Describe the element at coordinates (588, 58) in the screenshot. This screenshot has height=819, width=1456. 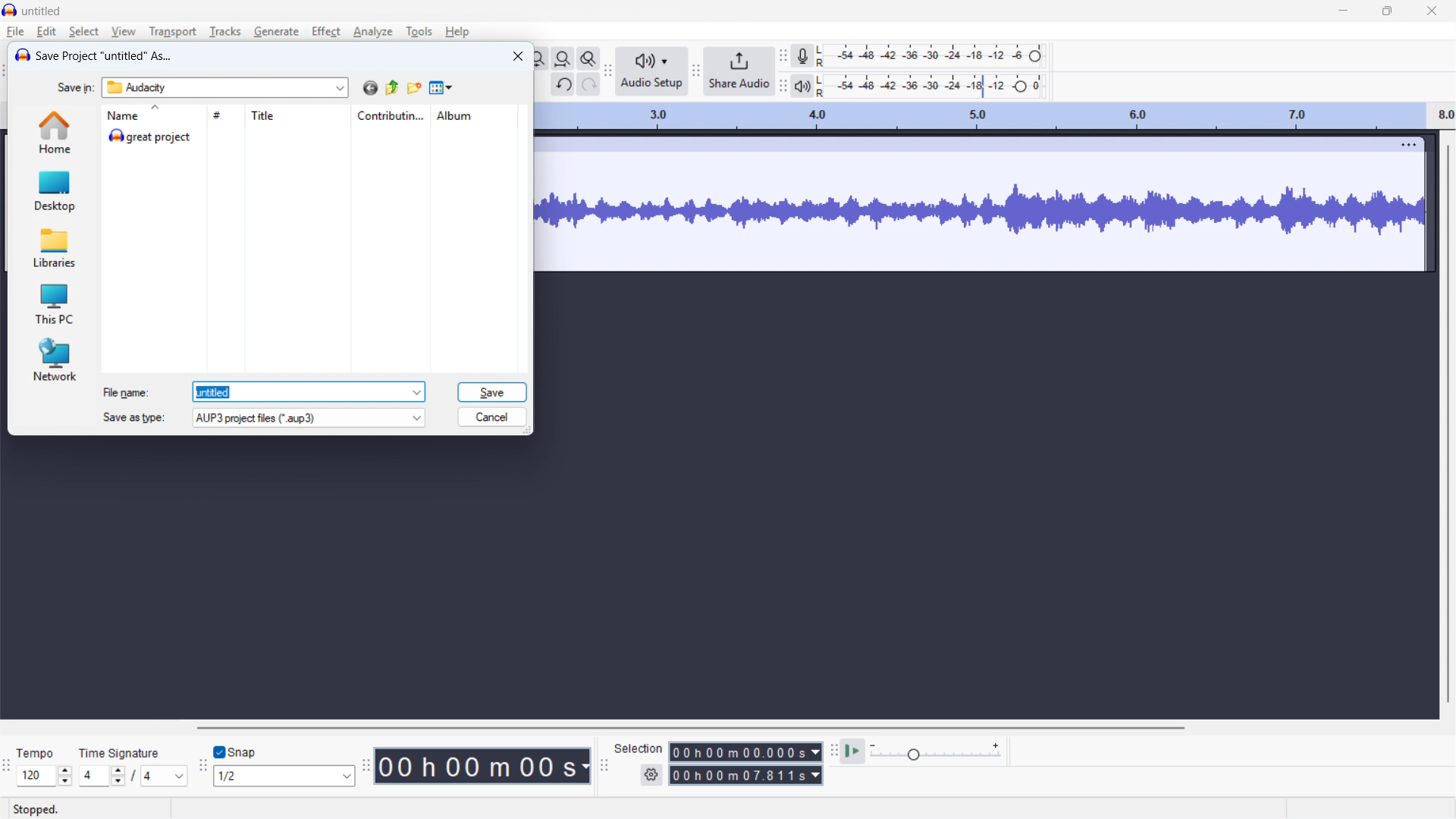
I see `toggle zoom` at that location.